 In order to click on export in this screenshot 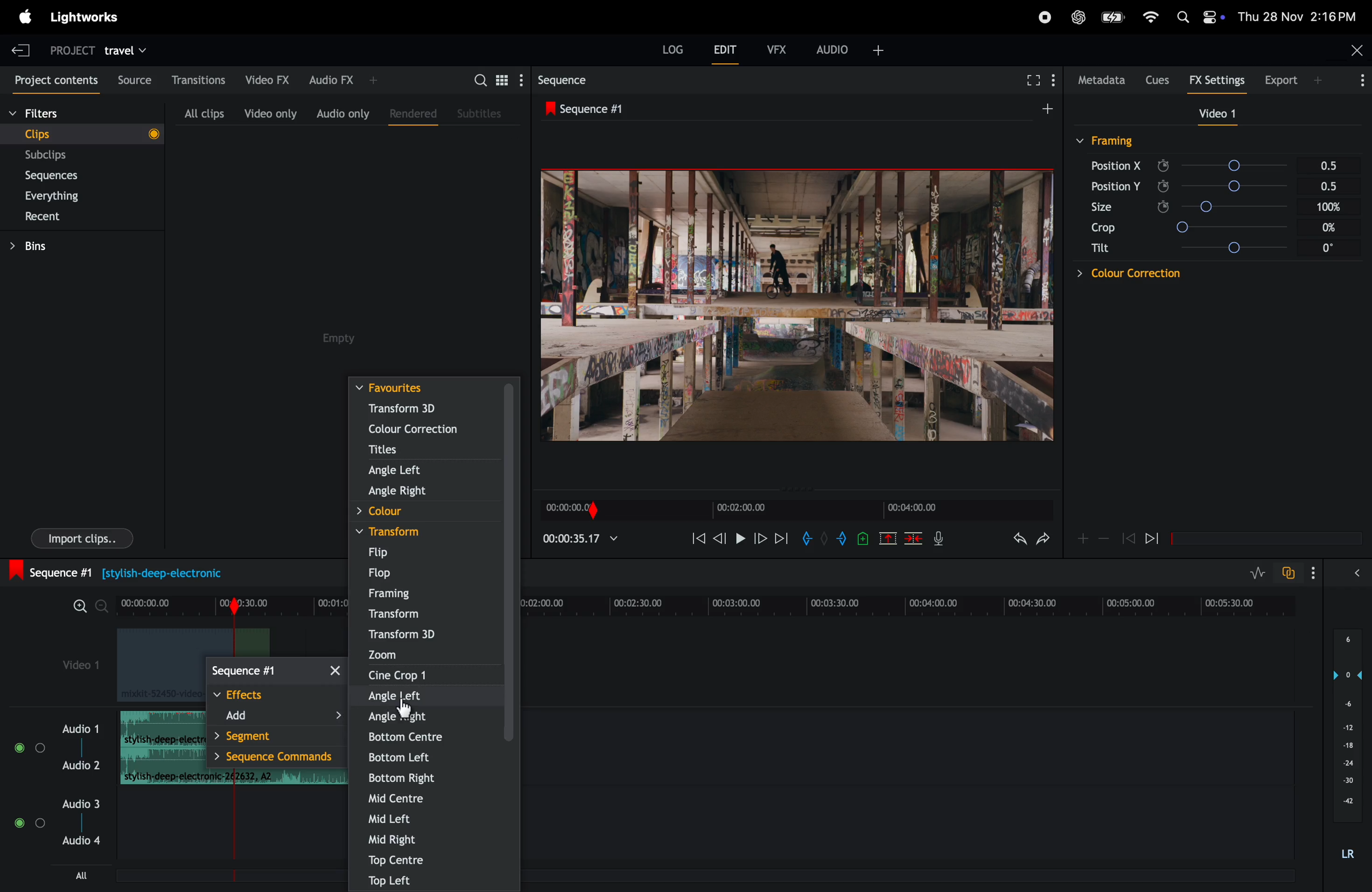, I will do `click(1289, 79)`.